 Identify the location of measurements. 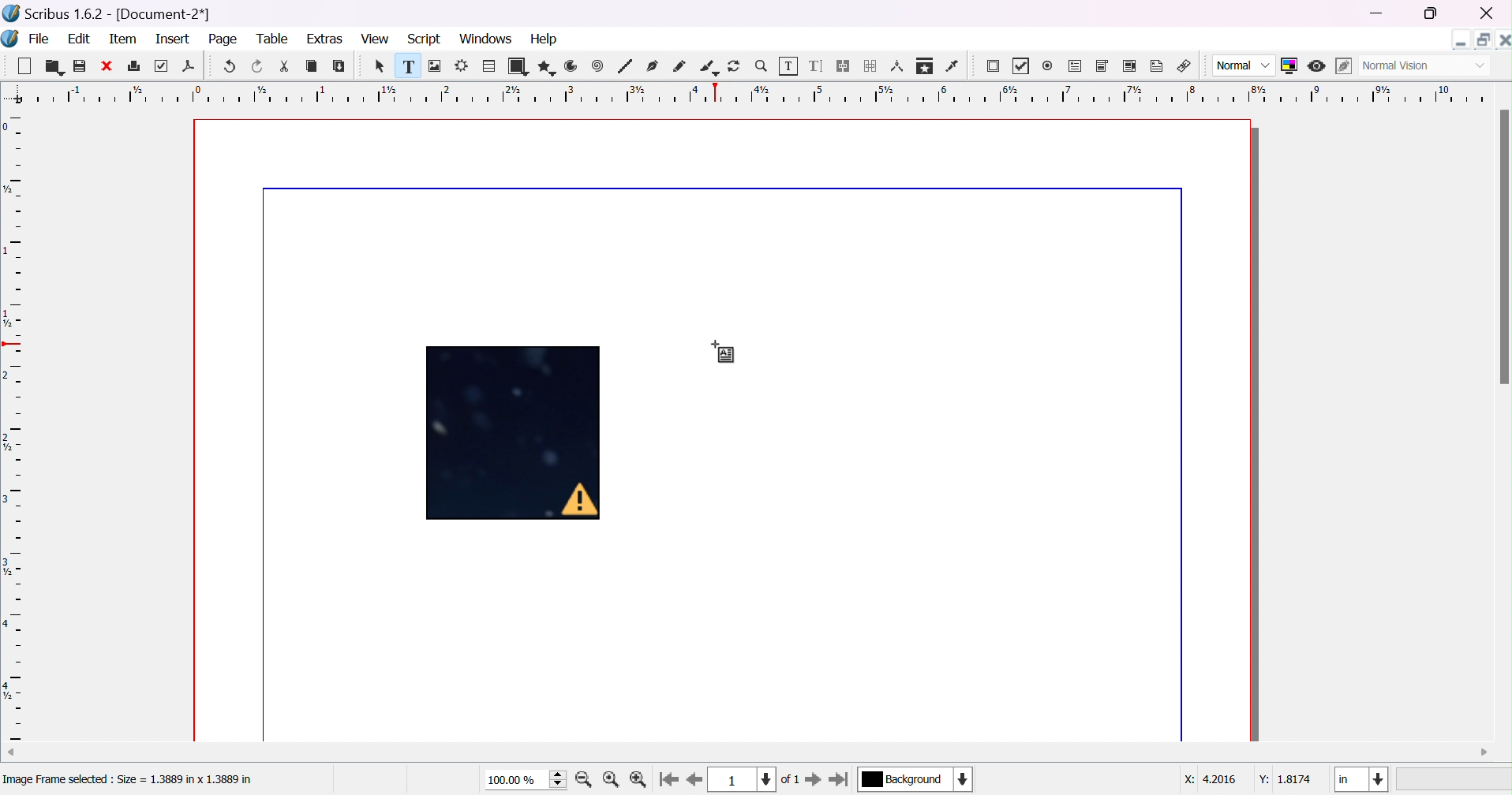
(897, 66).